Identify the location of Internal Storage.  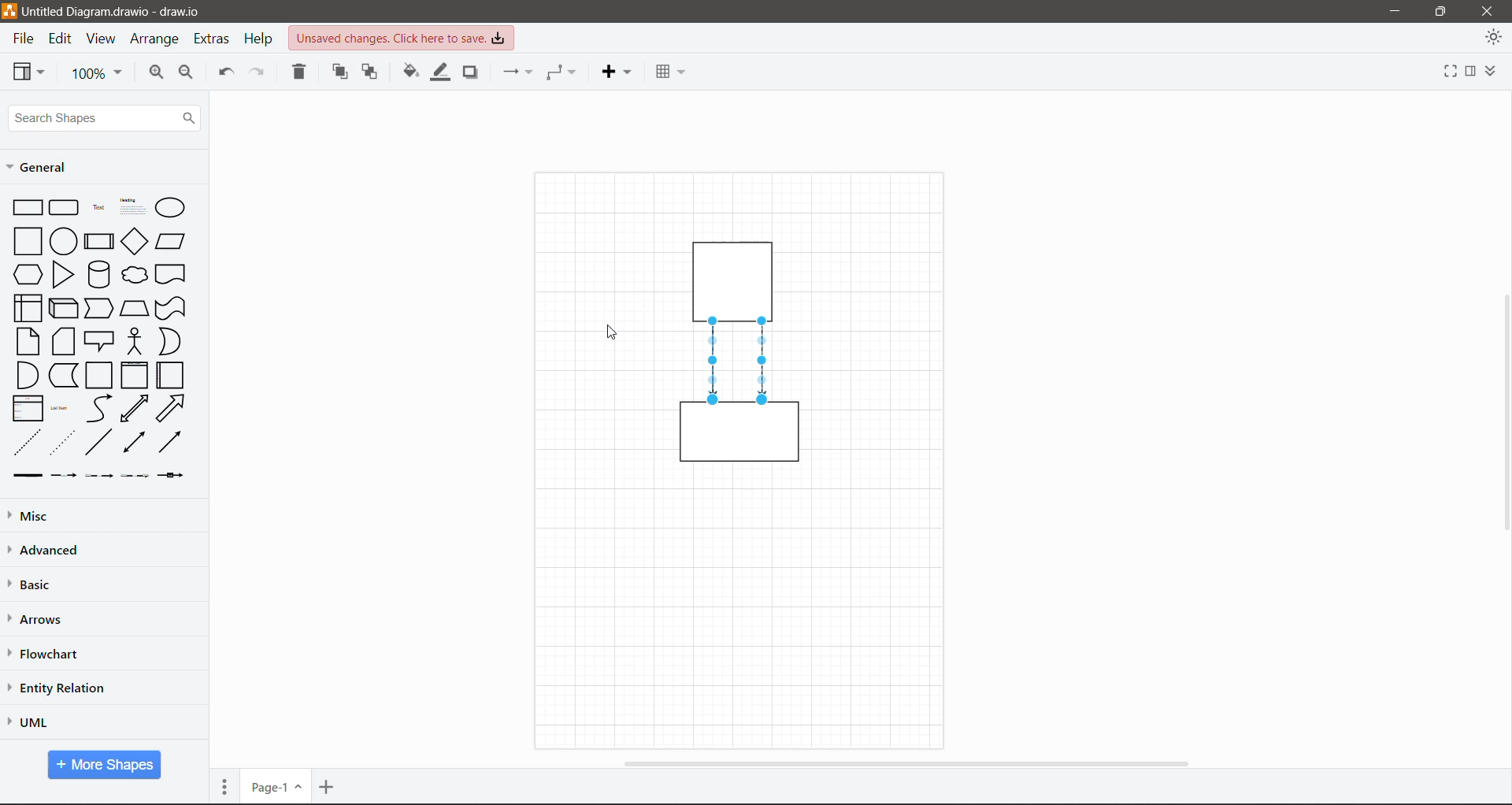
(26, 307).